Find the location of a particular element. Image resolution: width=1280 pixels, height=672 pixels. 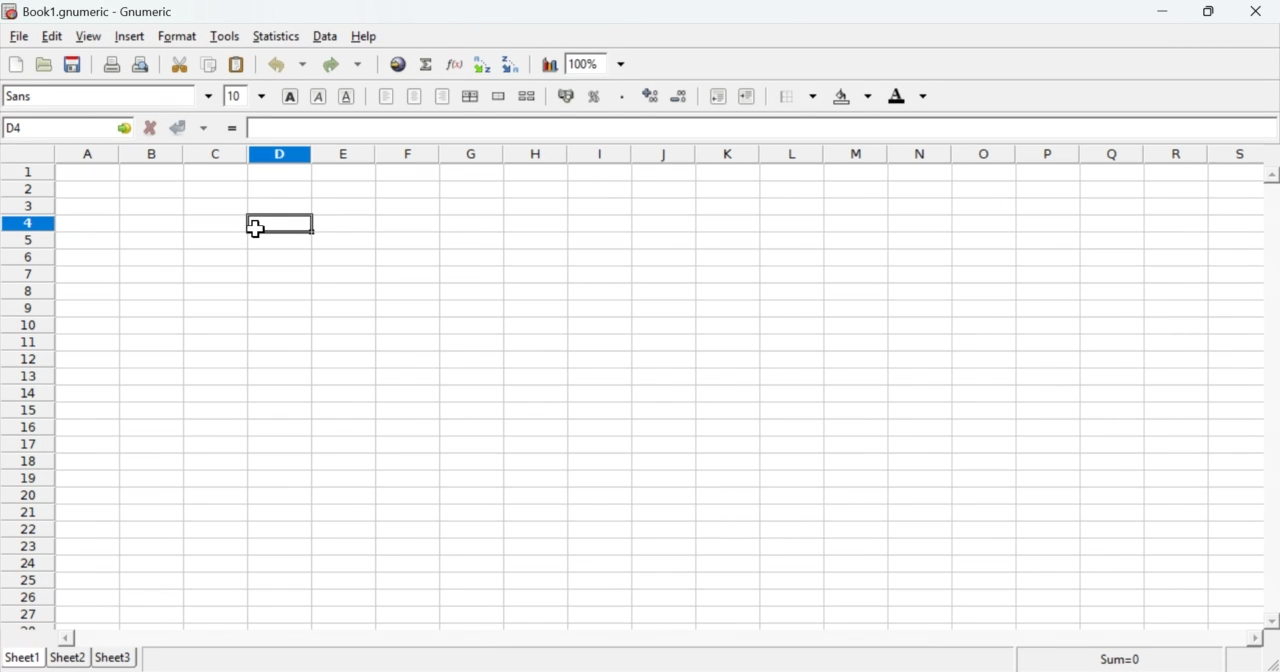

Underline is located at coordinates (348, 97).